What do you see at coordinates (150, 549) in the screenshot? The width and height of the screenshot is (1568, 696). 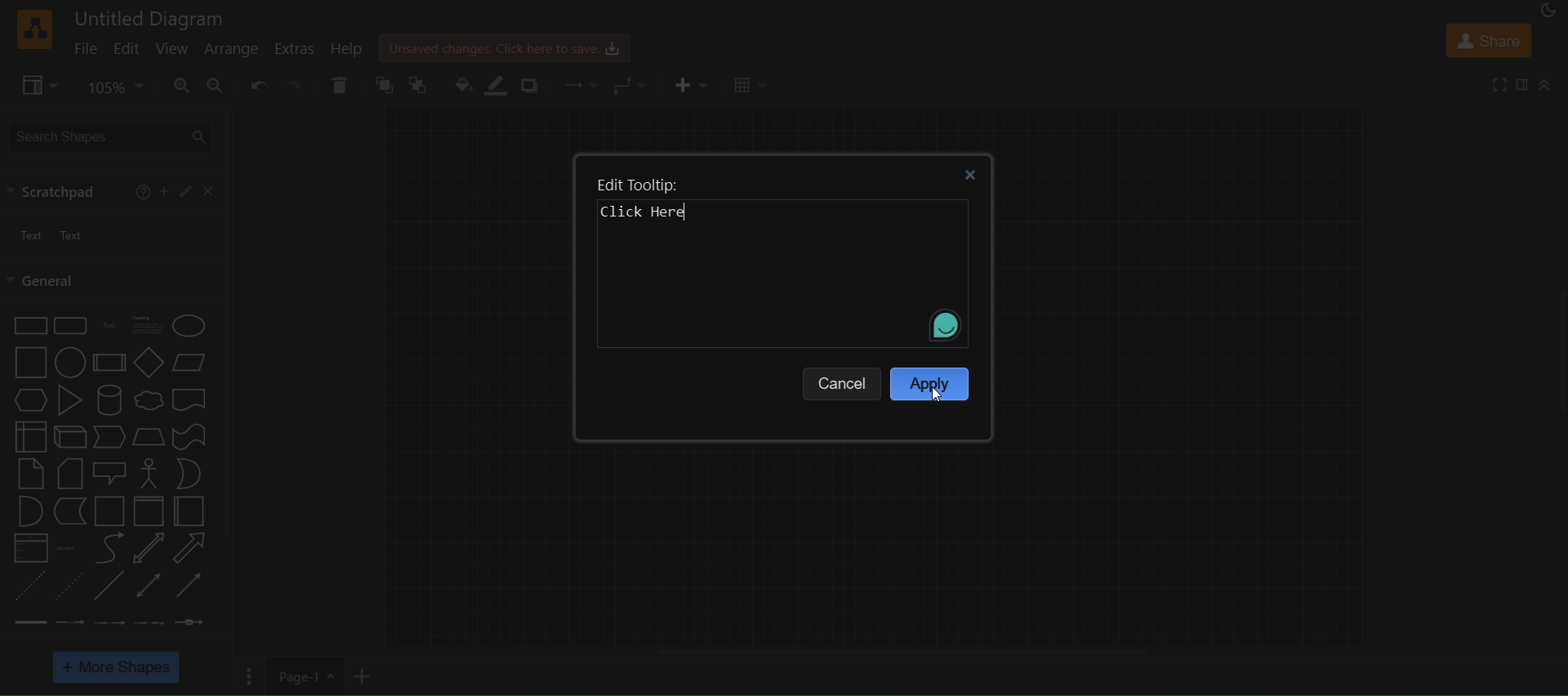 I see `bidirectional arrow` at bounding box center [150, 549].